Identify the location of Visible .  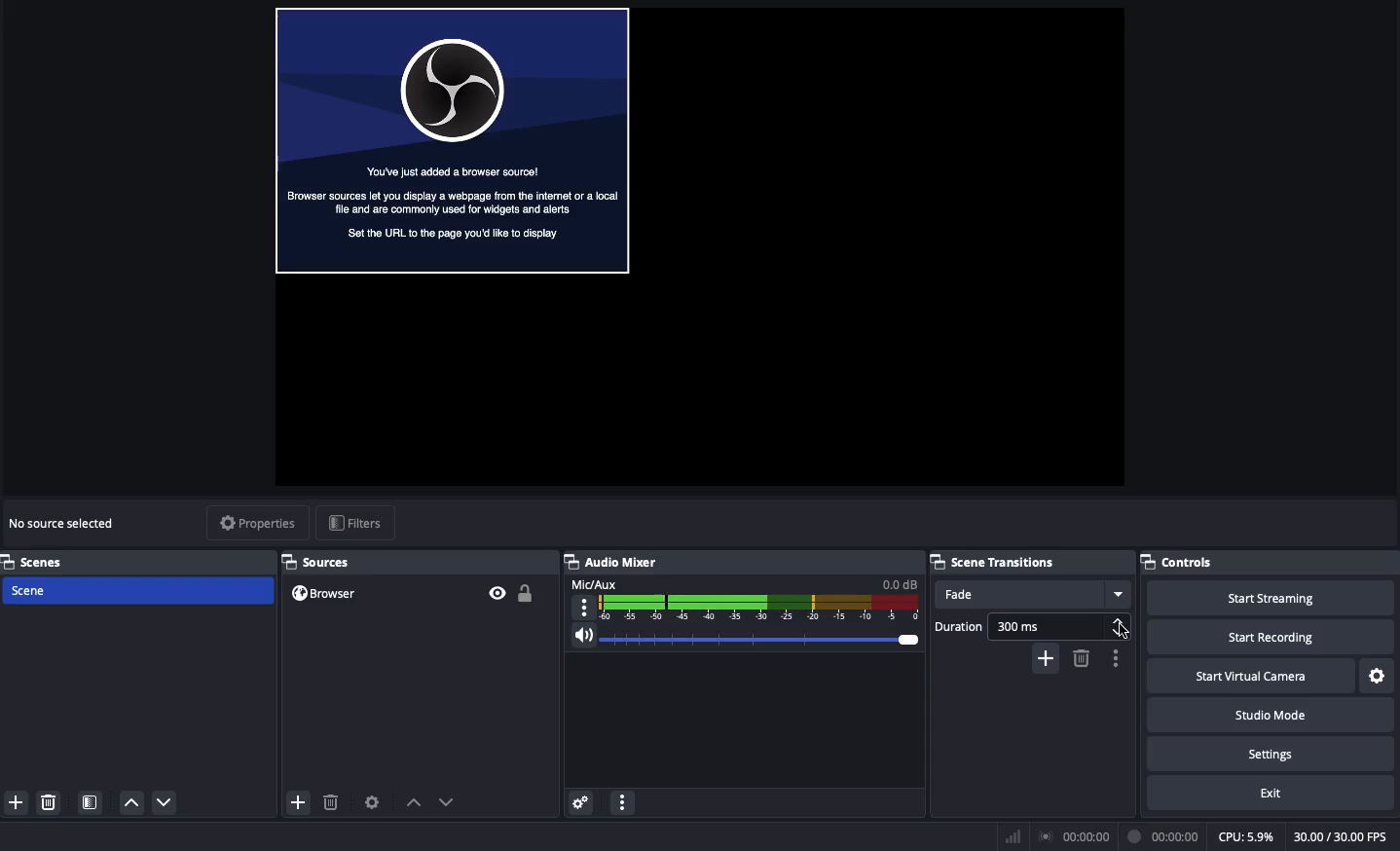
(497, 593).